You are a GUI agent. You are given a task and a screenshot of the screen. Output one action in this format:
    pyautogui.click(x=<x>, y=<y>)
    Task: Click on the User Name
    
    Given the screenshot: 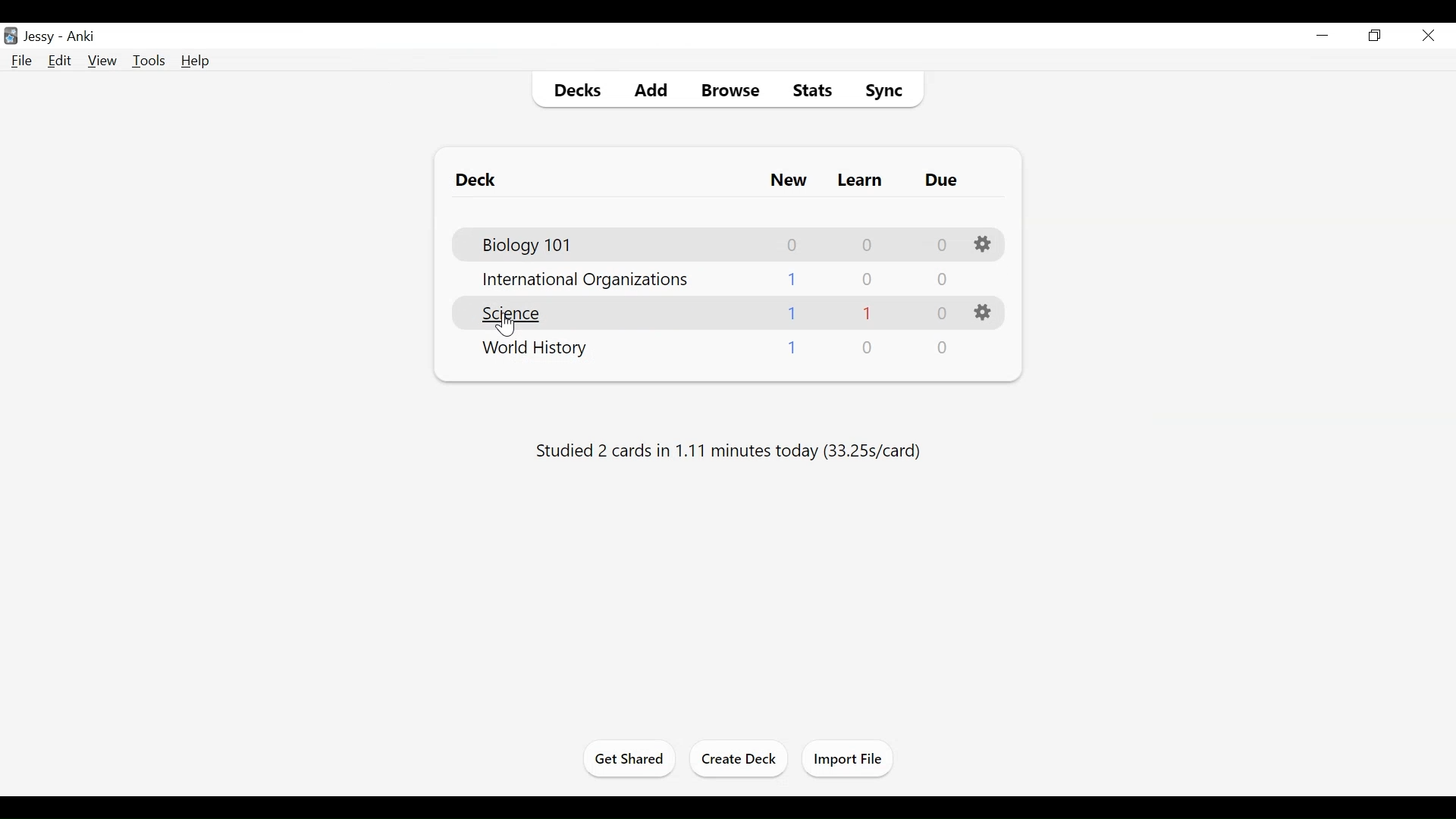 What is the action you would take?
    pyautogui.click(x=42, y=37)
    